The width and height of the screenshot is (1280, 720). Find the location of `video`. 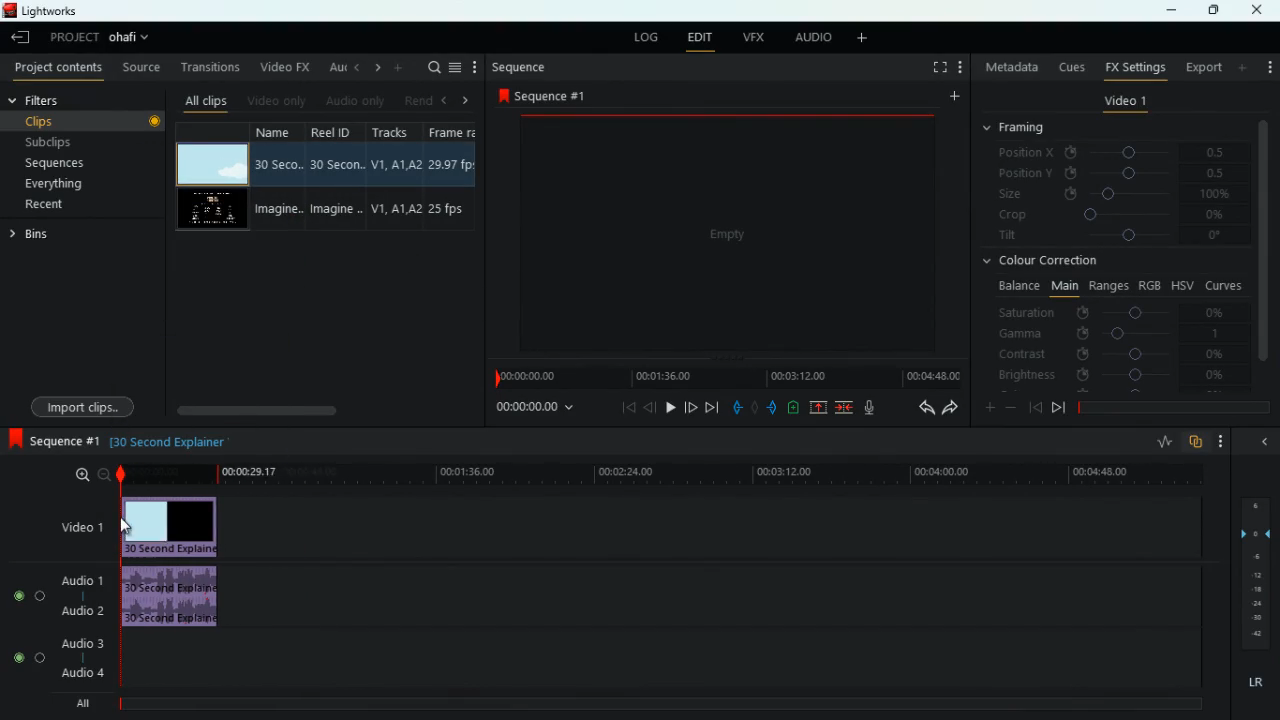

video is located at coordinates (174, 527).